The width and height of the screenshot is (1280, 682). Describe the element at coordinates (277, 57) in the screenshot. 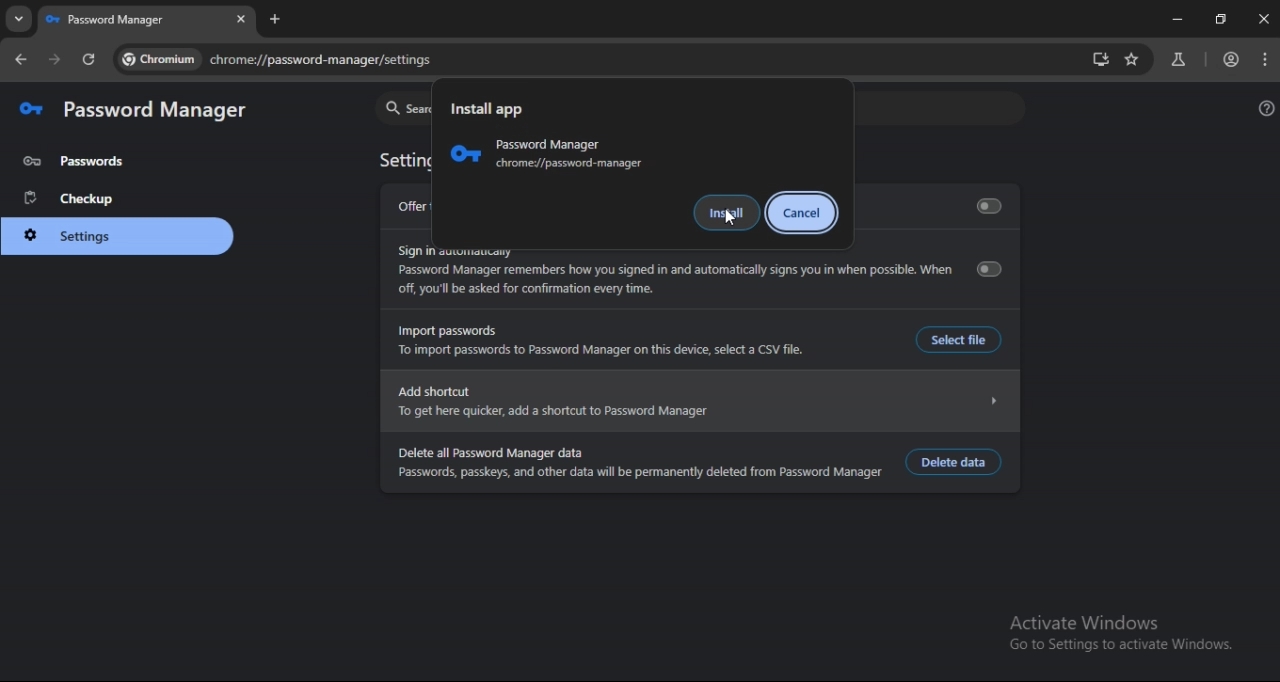

I see `chrome://password-manager/settings` at that location.